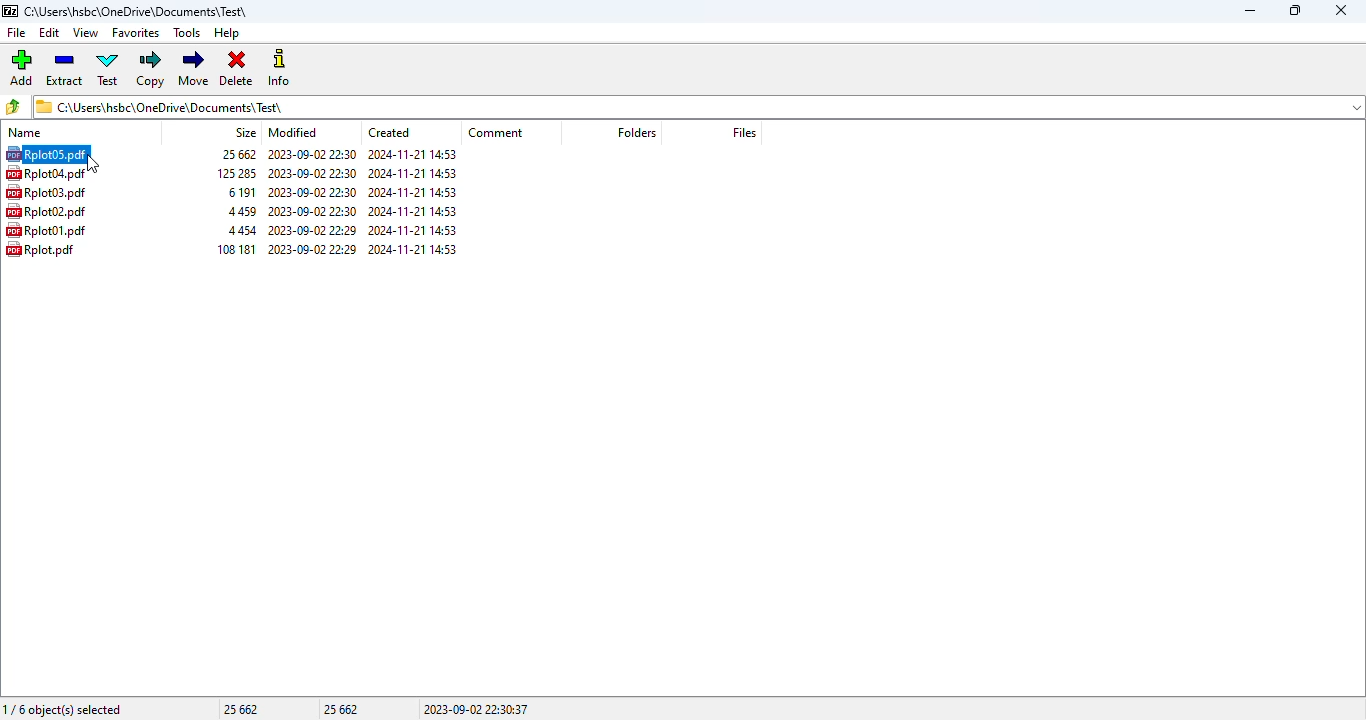  Describe the element at coordinates (412, 154) in the screenshot. I see `created date and time` at that location.